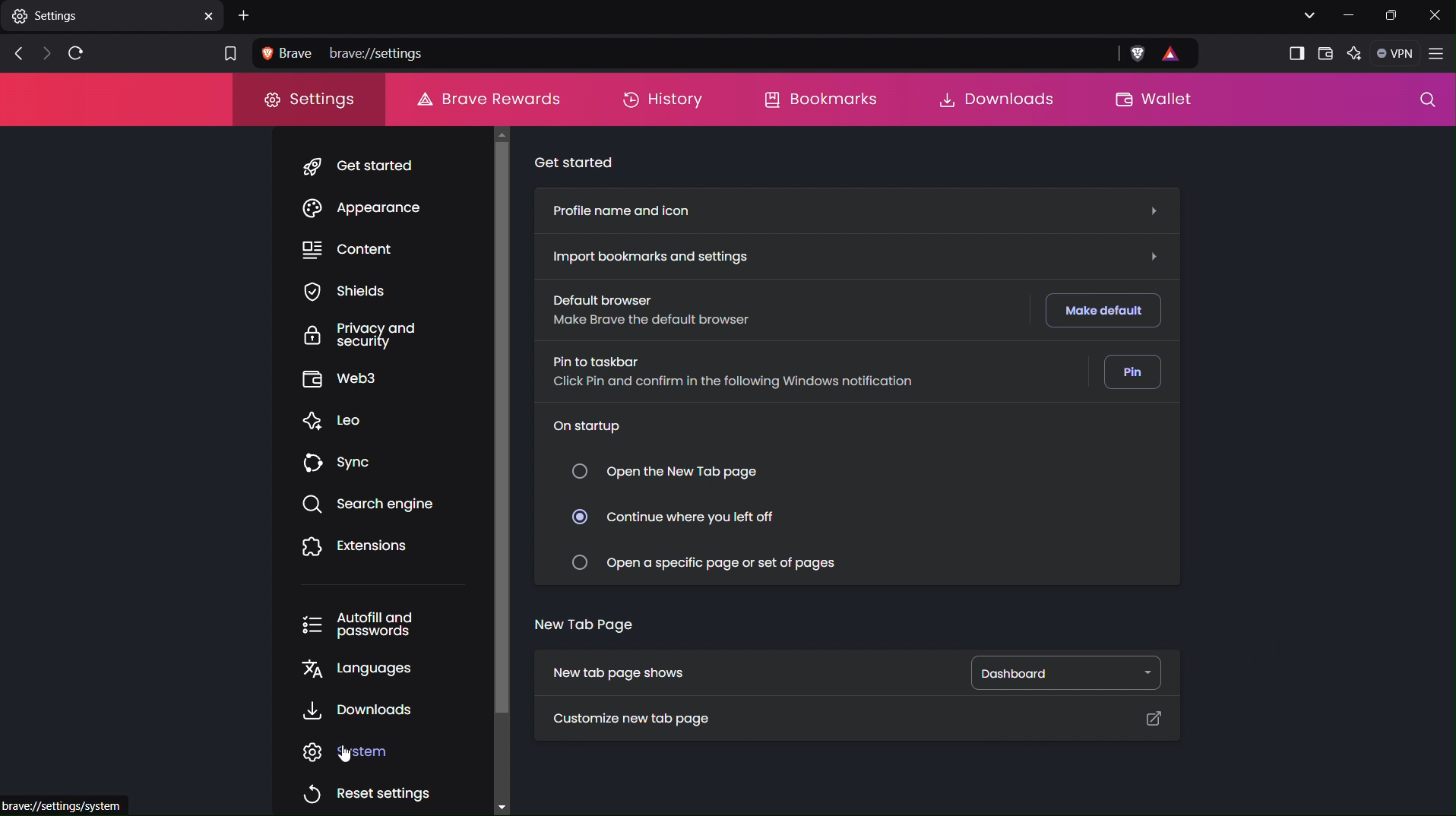 The image size is (1456, 816). I want to click on Minimize, so click(1345, 15).